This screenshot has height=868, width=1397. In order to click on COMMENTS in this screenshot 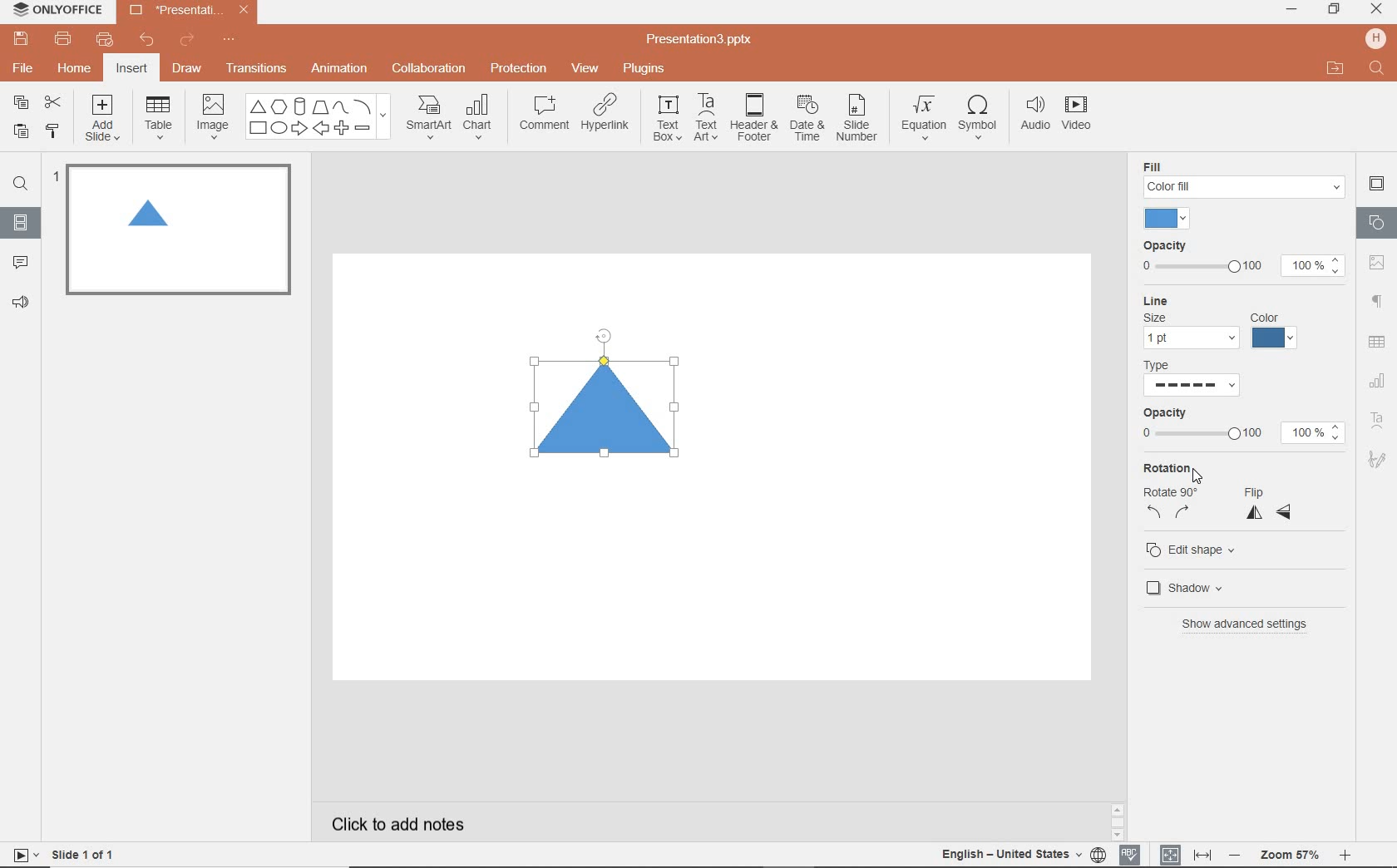, I will do `click(20, 261)`.